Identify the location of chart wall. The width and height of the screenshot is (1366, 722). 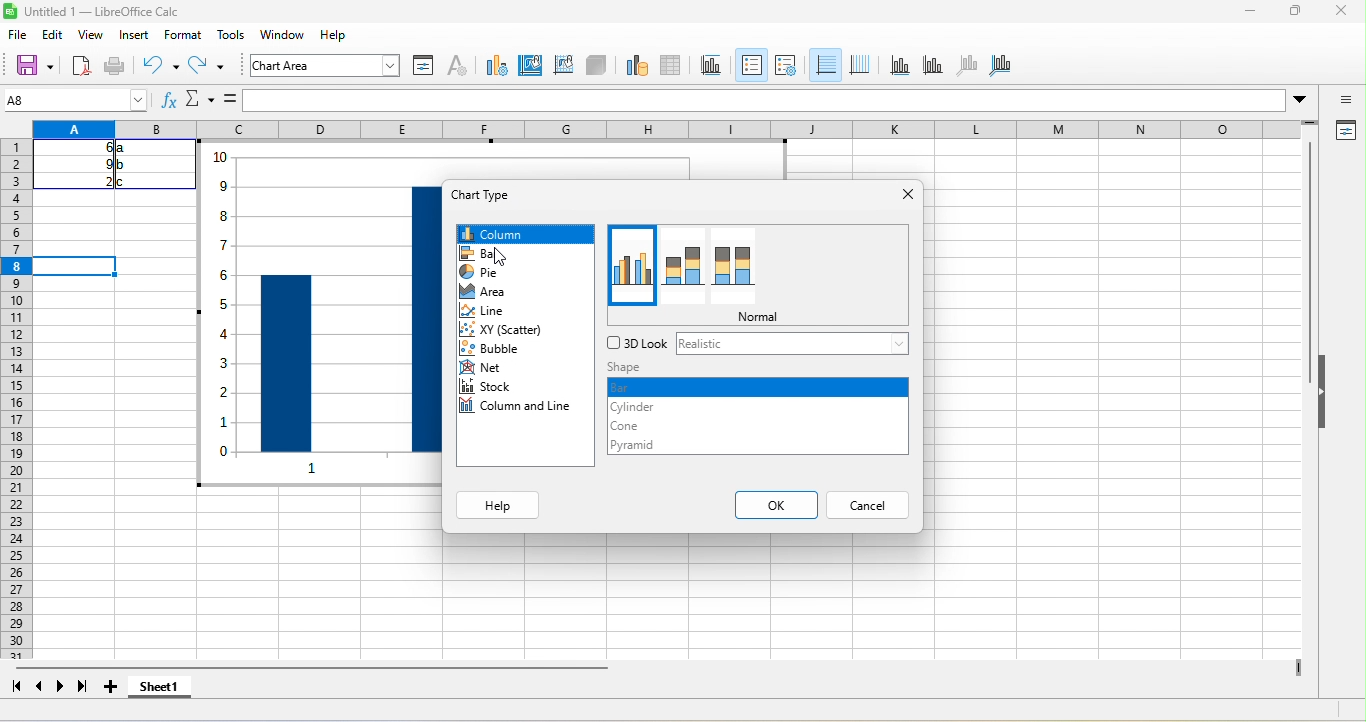
(562, 64).